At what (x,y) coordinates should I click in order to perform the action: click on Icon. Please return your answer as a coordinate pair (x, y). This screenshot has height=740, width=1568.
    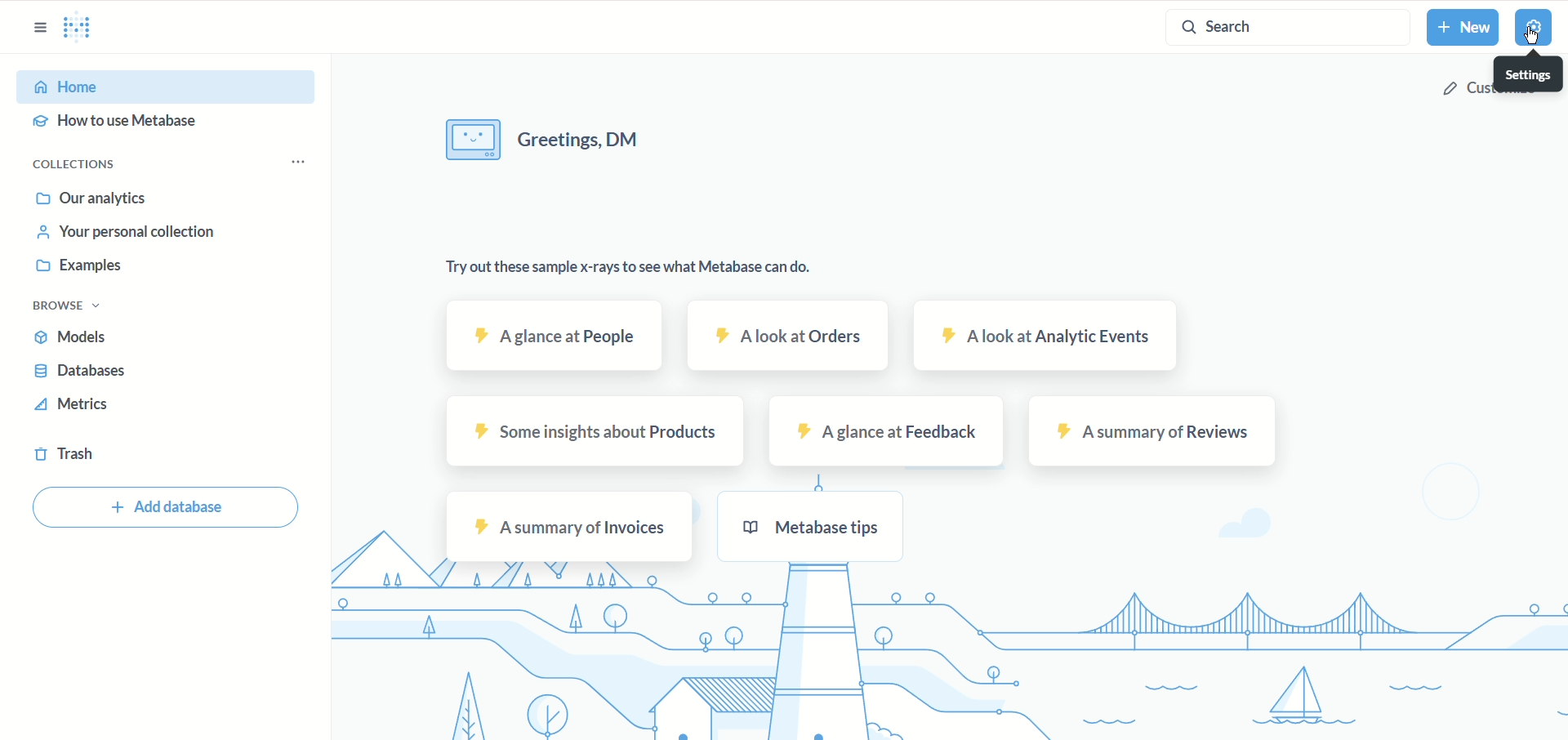
    Looking at the image, I should click on (471, 140).